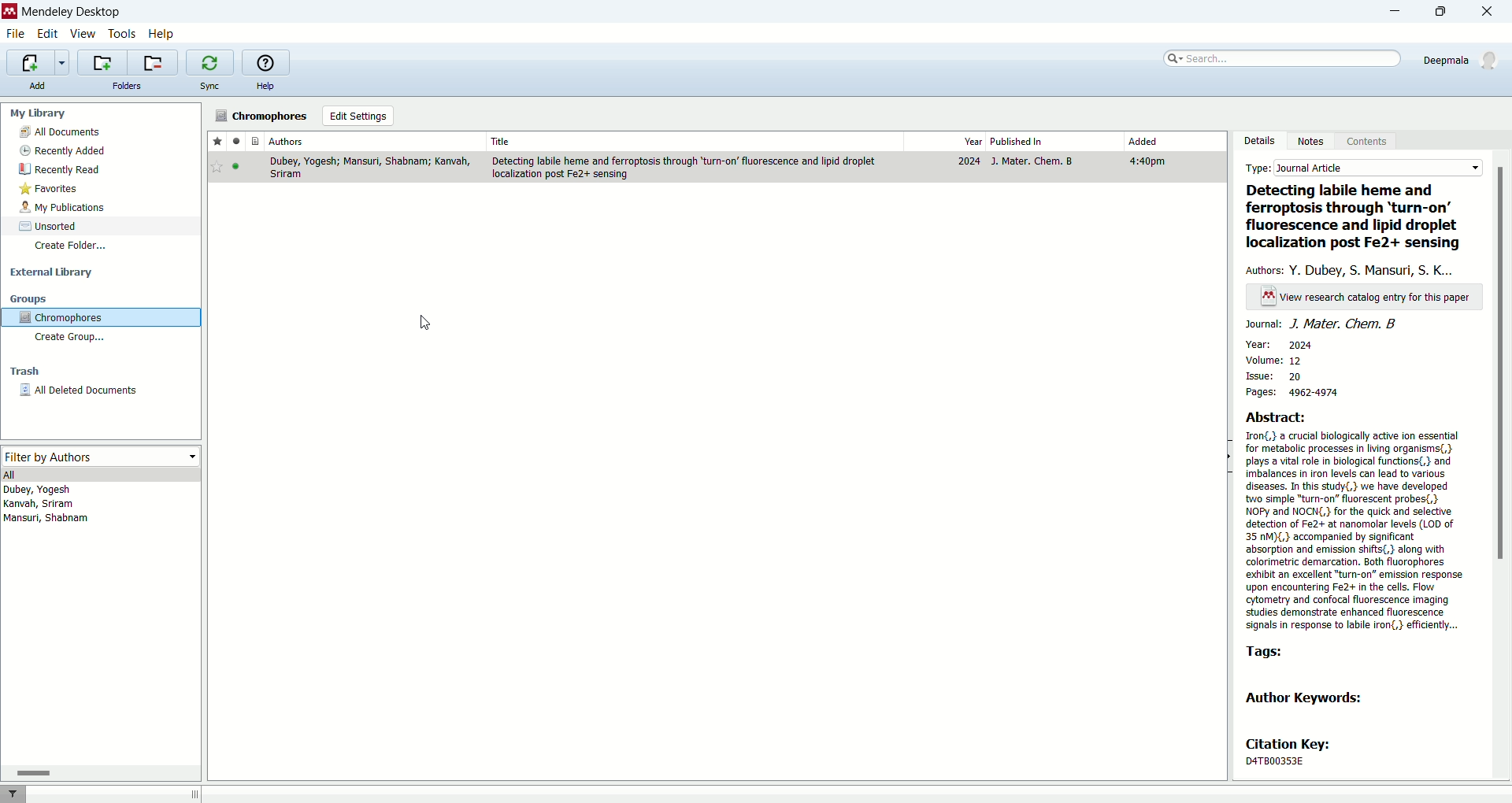 Image resolution: width=1512 pixels, height=803 pixels. What do you see at coordinates (15, 35) in the screenshot?
I see `file` at bounding box center [15, 35].